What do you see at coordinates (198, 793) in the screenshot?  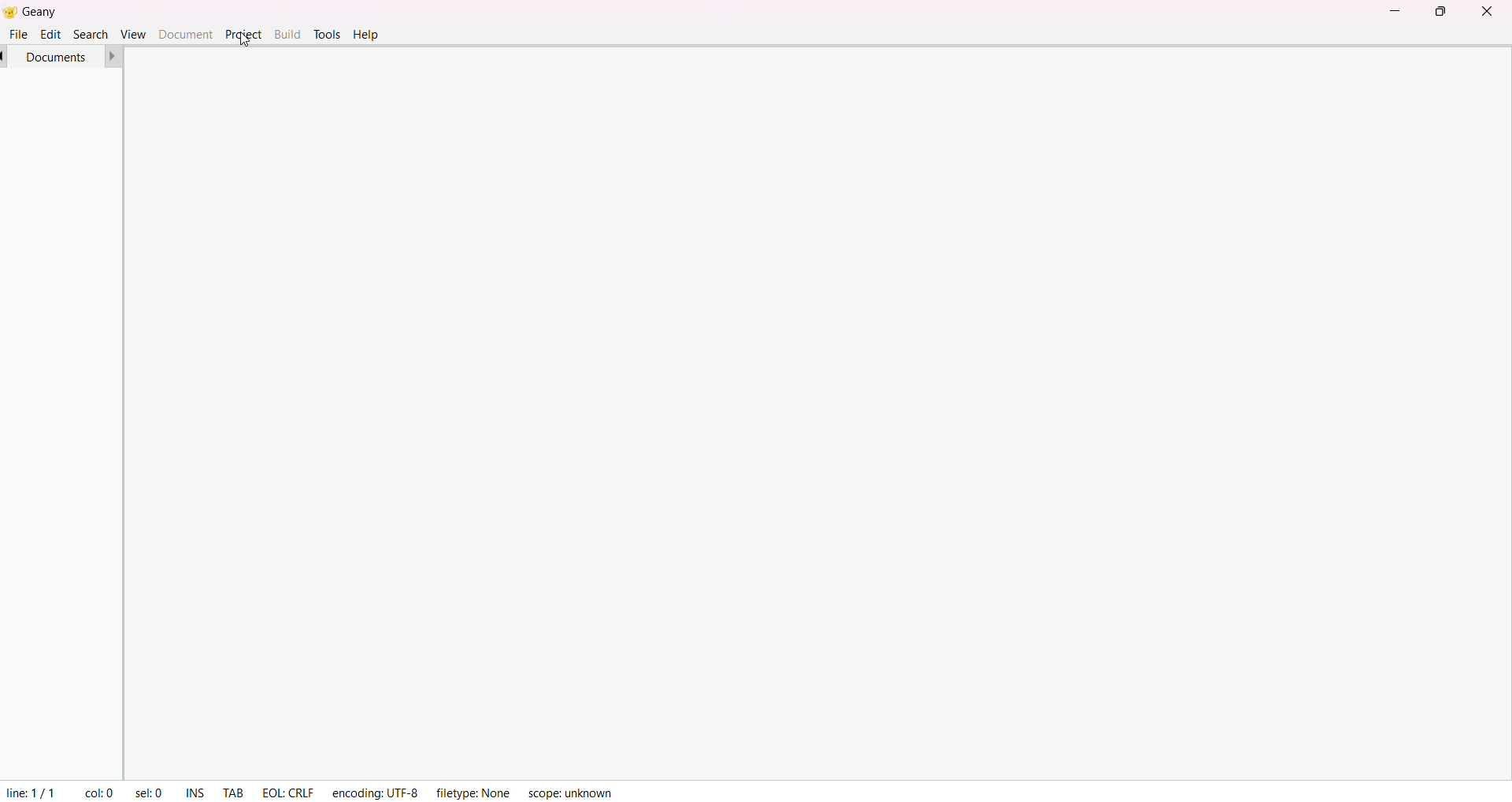 I see `ins` at bounding box center [198, 793].